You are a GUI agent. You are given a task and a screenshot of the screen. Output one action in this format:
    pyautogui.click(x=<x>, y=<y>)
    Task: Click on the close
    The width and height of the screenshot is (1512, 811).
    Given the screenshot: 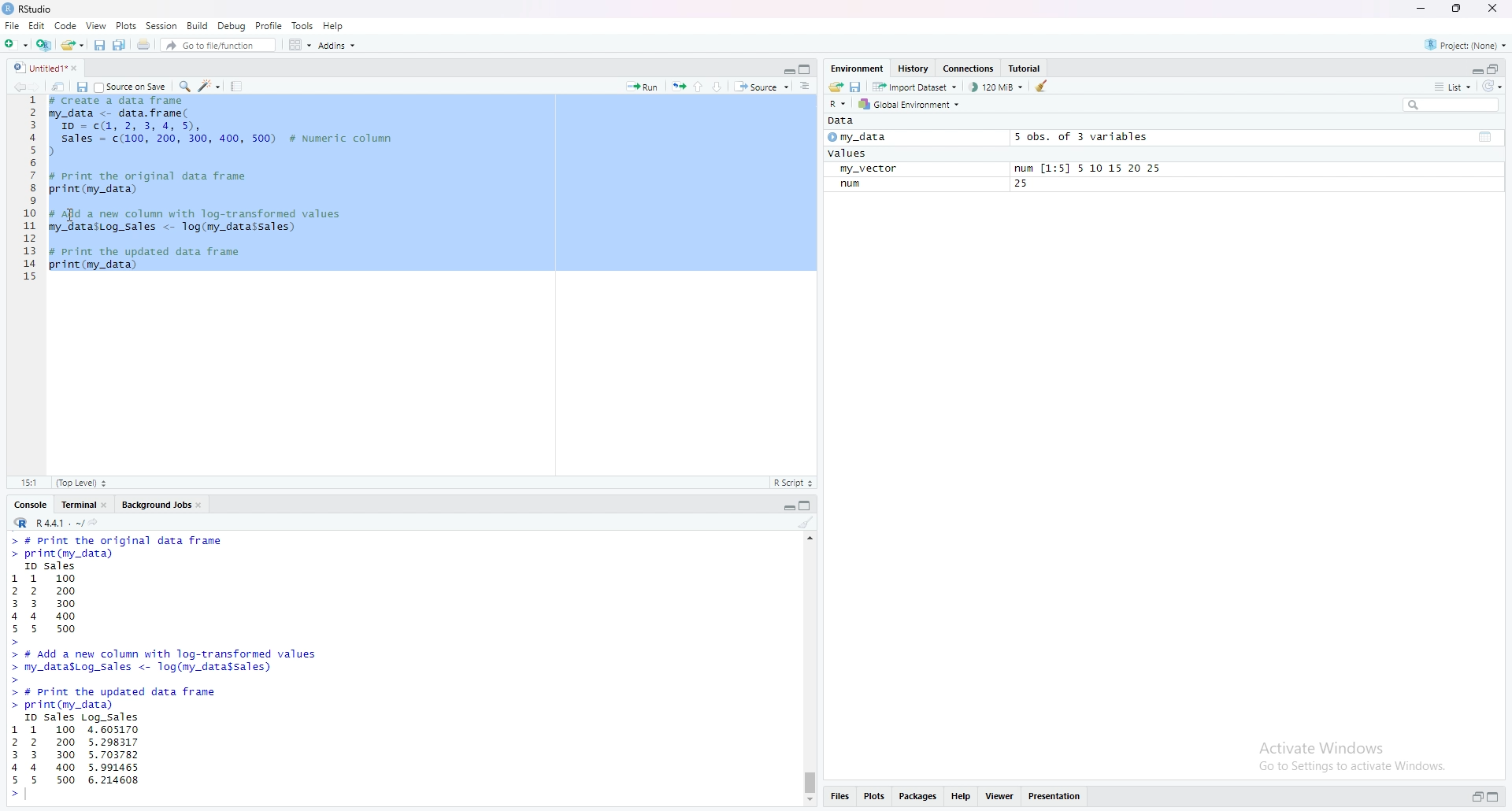 What is the action you would take?
    pyautogui.click(x=1499, y=9)
    